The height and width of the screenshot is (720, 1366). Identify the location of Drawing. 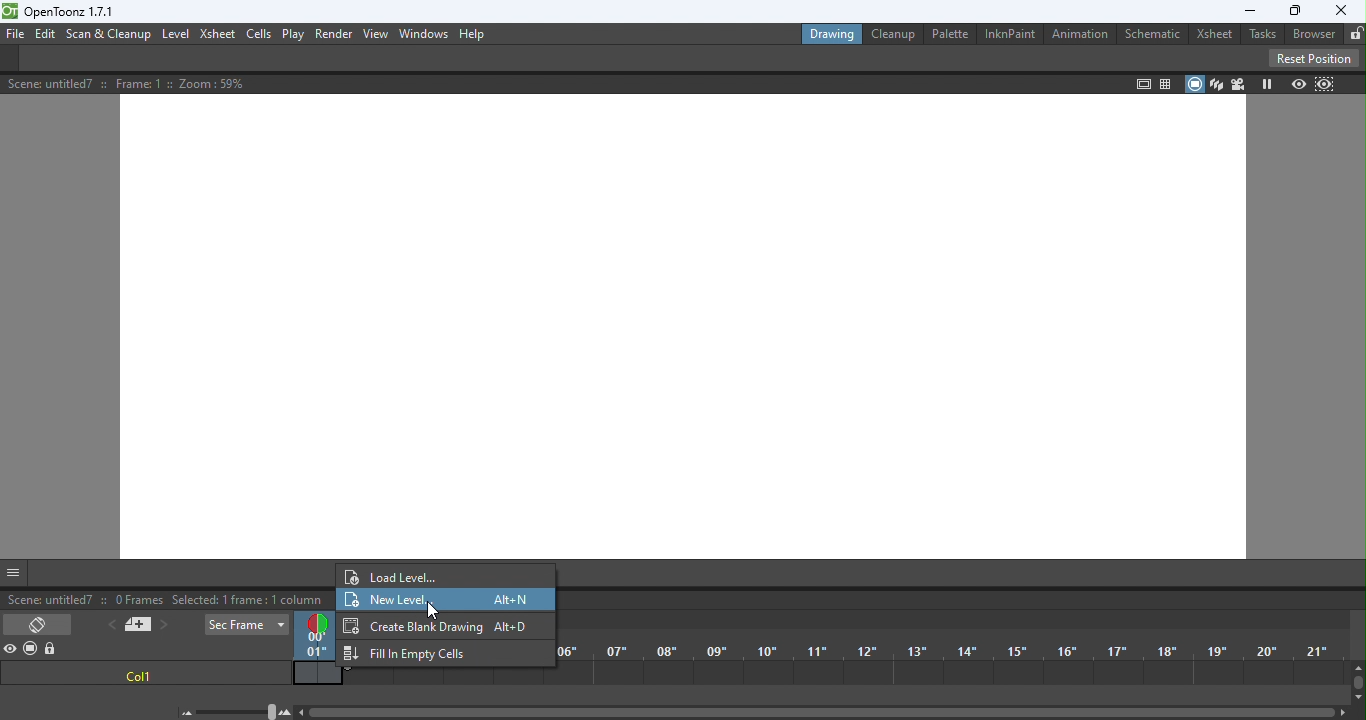
(835, 34).